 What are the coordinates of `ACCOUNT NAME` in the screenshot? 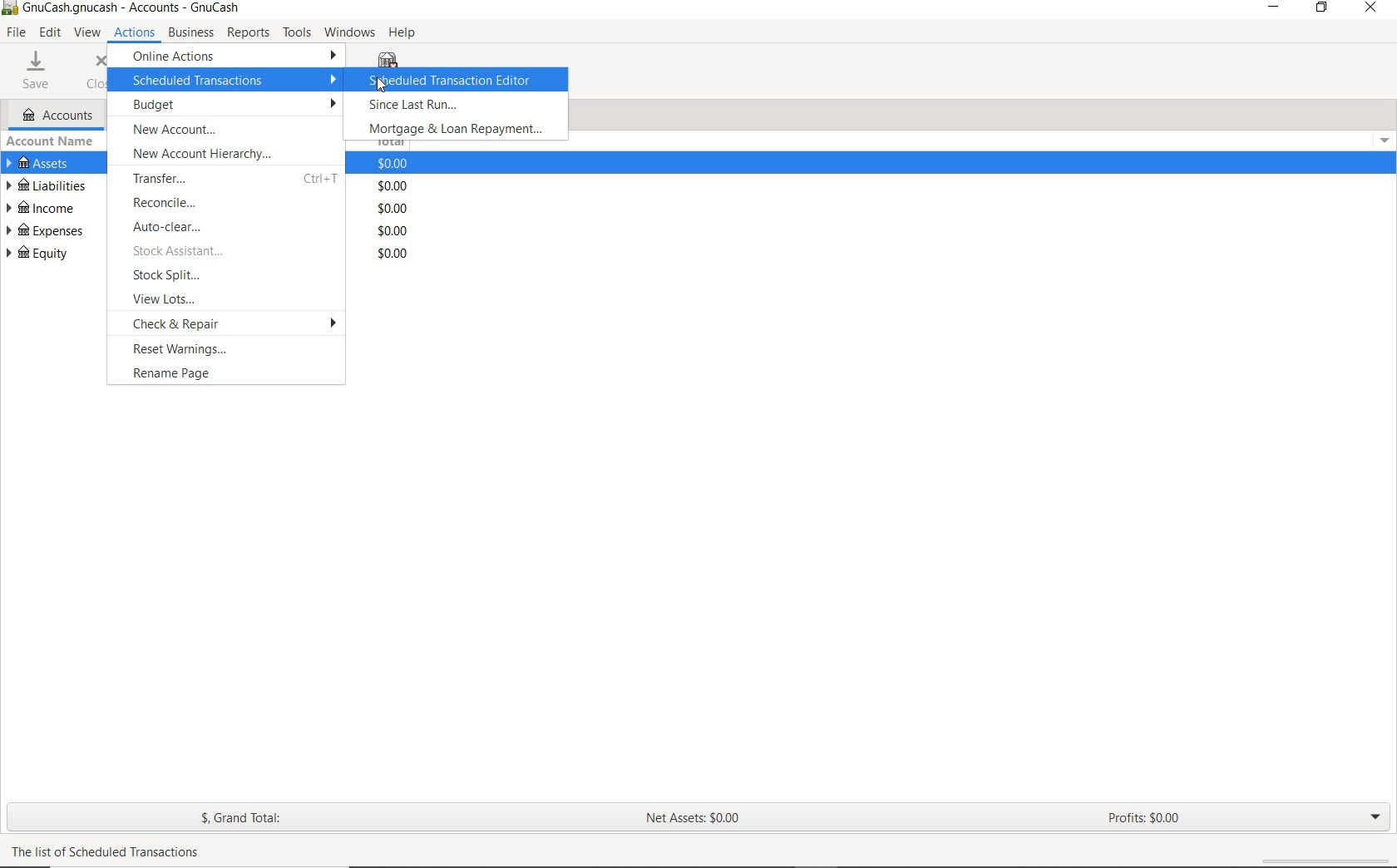 It's located at (54, 141).